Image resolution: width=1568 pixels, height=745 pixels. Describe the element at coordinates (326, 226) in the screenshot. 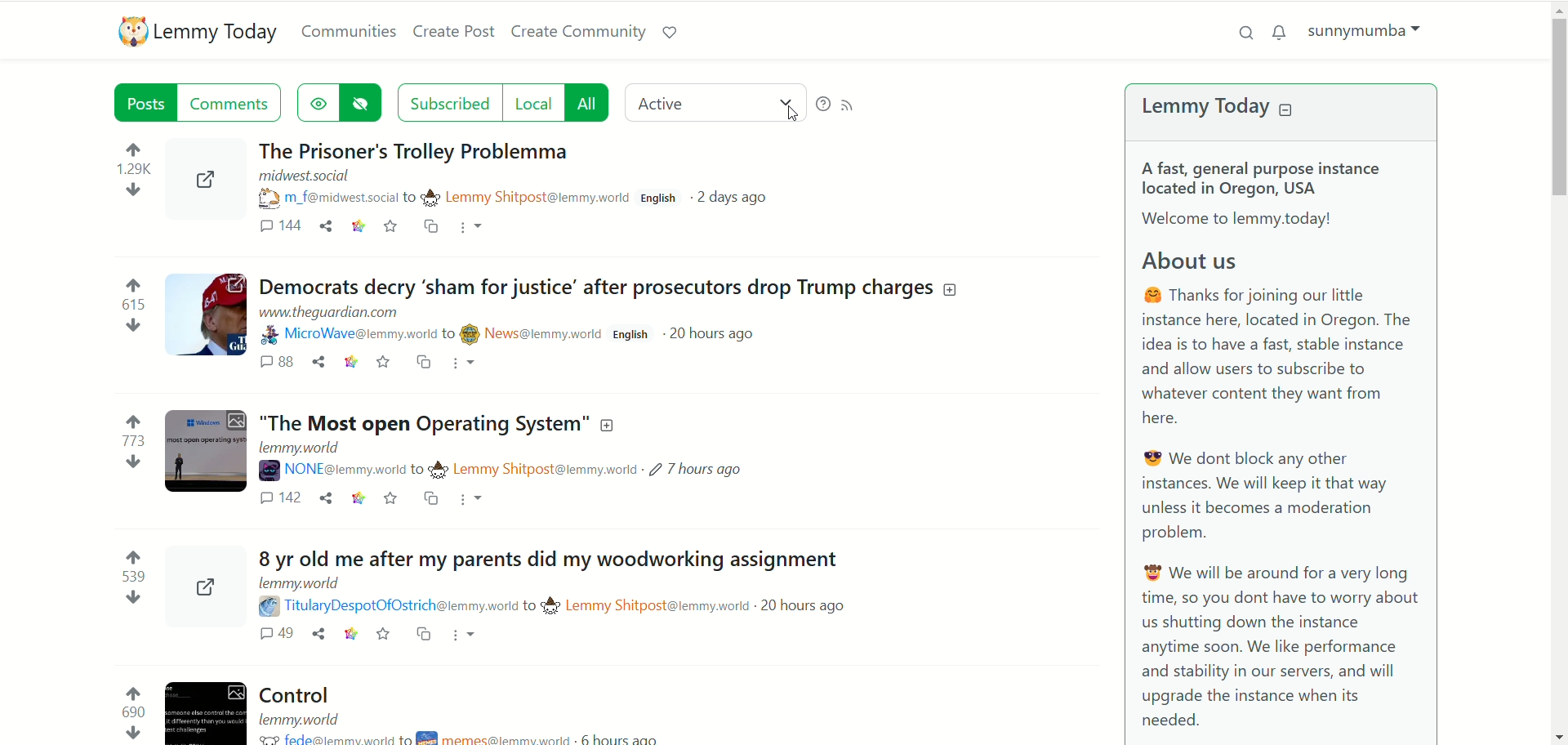

I see `share` at that location.